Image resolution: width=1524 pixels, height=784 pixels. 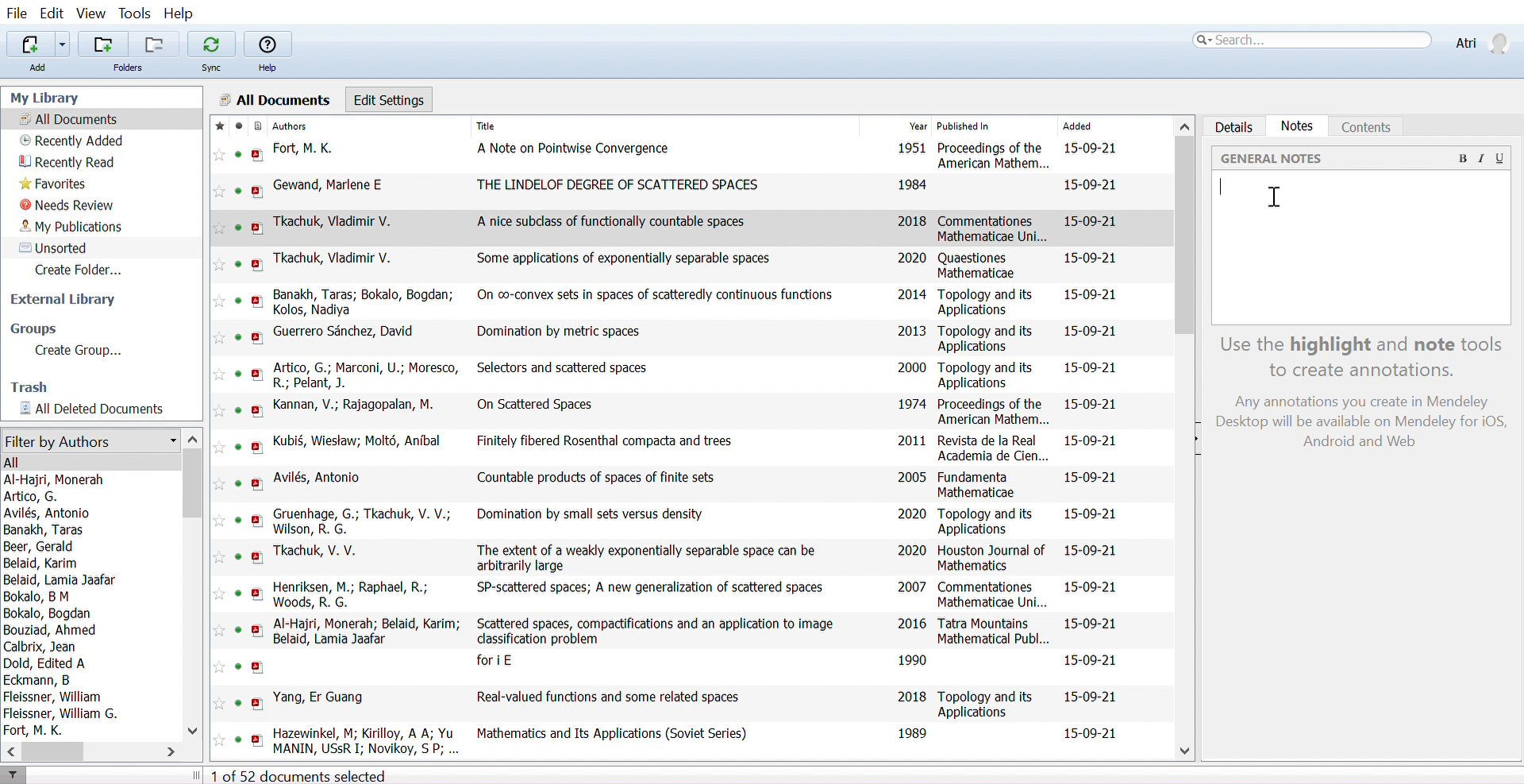 What do you see at coordinates (1090, 586) in the screenshot?
I see `15-09-21` at bounding box center [1090, 586].